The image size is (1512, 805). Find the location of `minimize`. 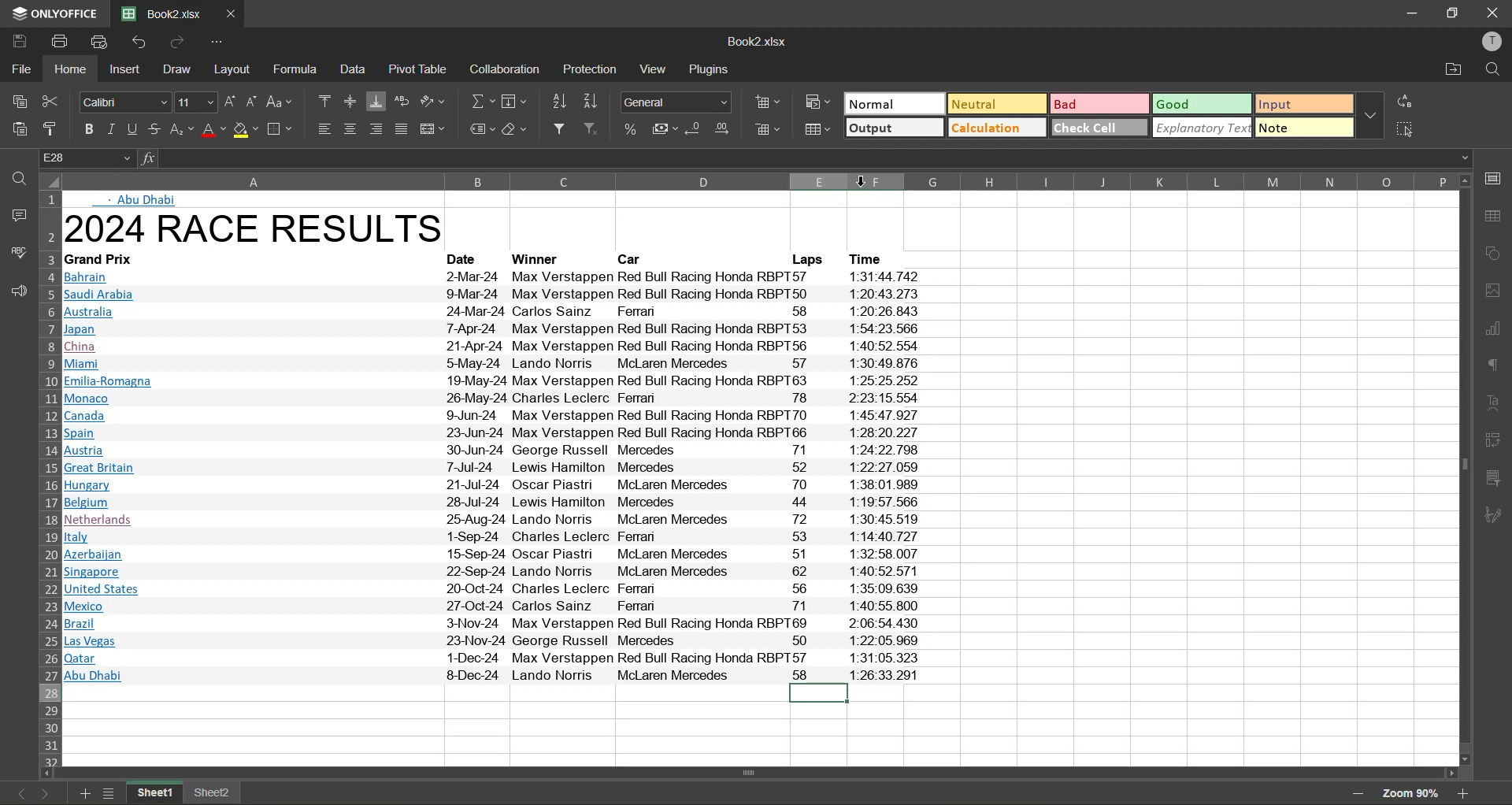

minimize is located at coordinates (1407, 13).